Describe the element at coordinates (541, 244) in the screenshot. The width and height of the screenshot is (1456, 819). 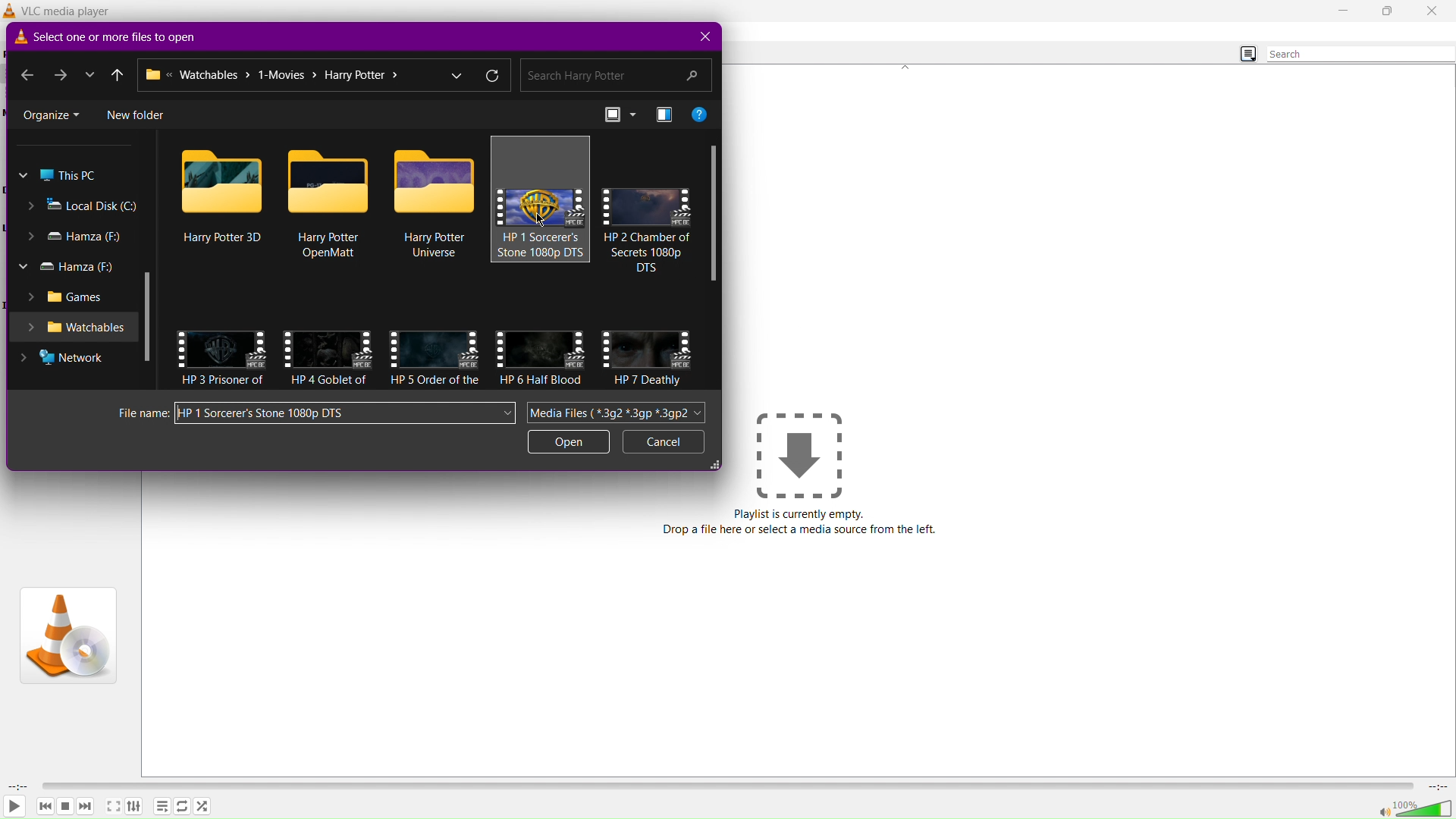
I see `harry potter ` at that location.